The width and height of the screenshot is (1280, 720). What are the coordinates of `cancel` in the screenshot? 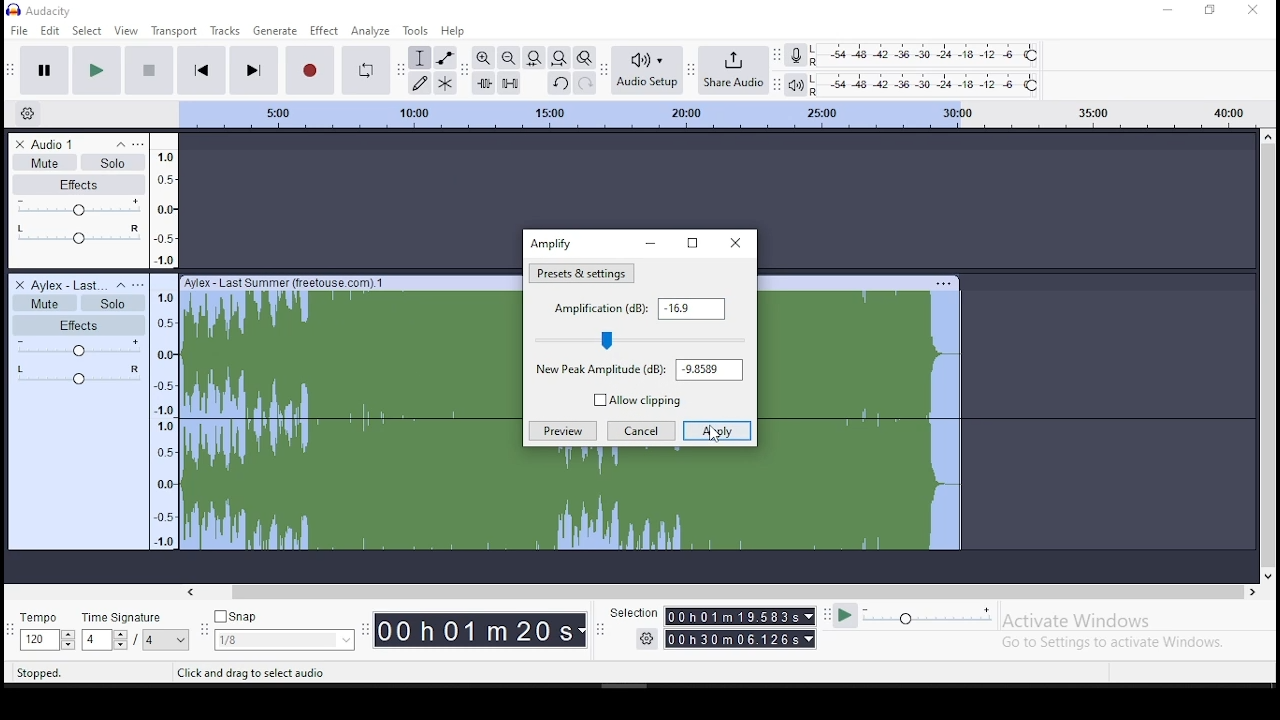 It's located at (641, 430).